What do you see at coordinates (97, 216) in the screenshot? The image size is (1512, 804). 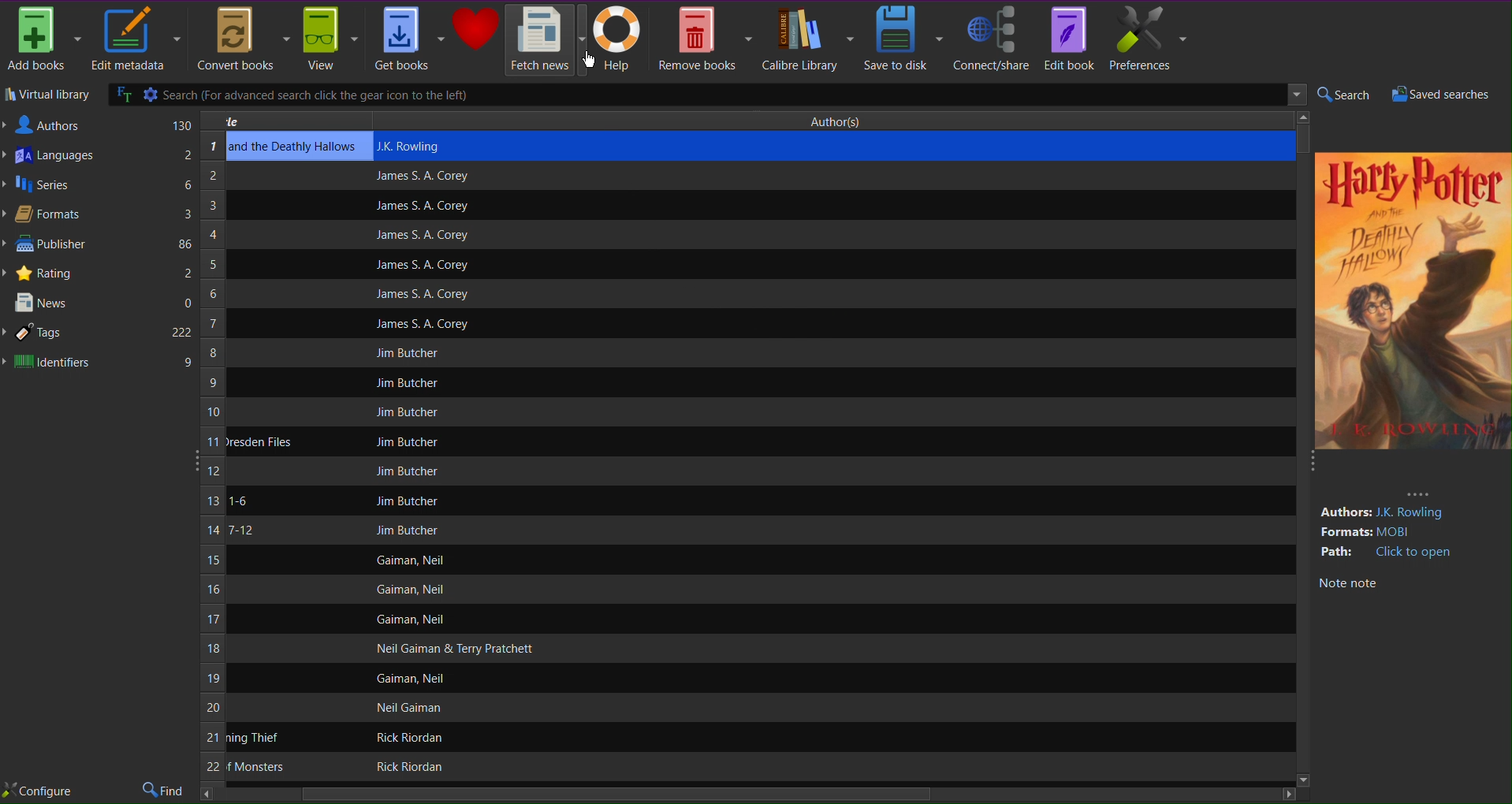 I see `Formats` at bounding box center [97, 216].